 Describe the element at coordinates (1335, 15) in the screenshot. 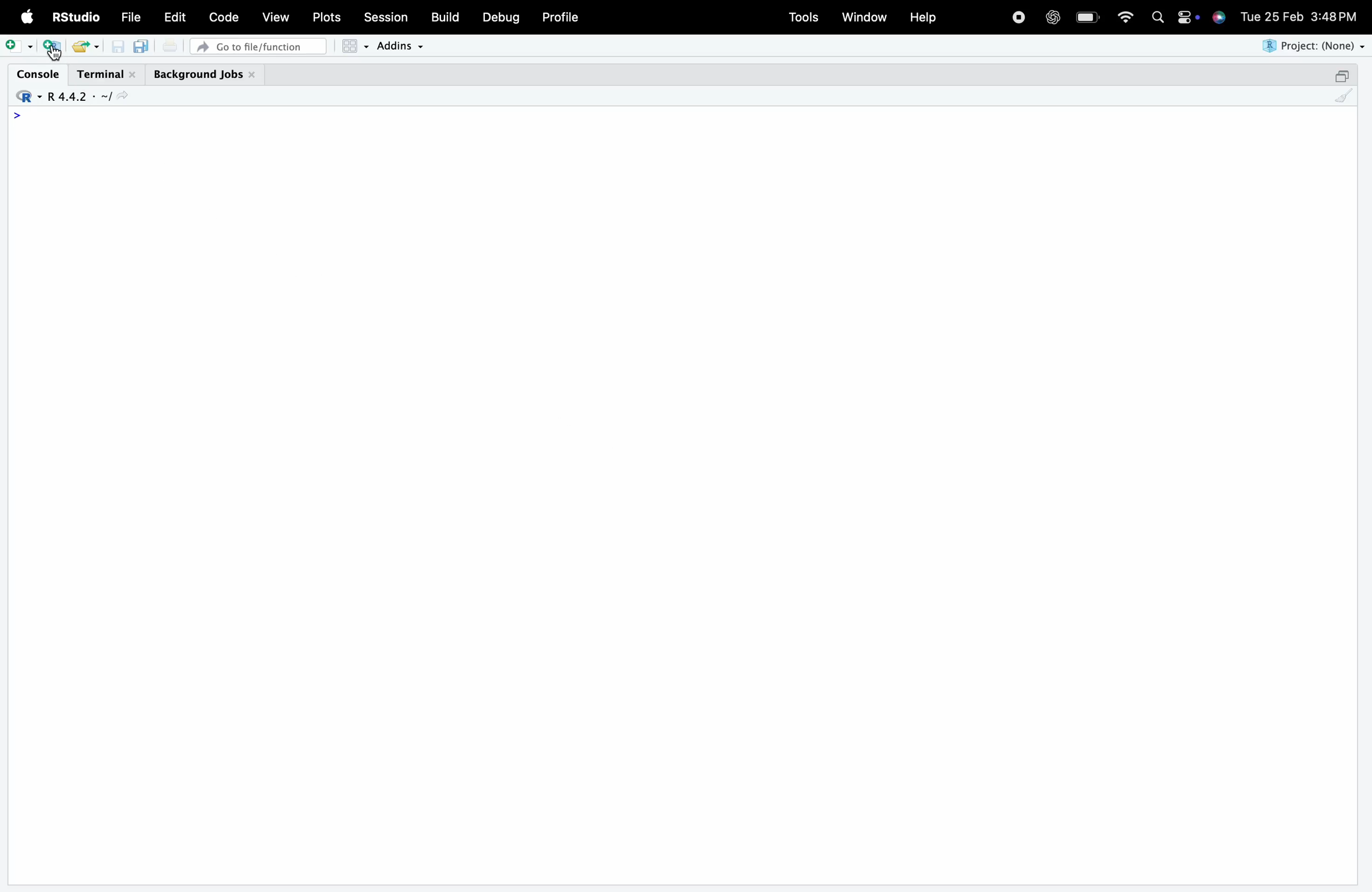

I see `3:48 PM` at that location.